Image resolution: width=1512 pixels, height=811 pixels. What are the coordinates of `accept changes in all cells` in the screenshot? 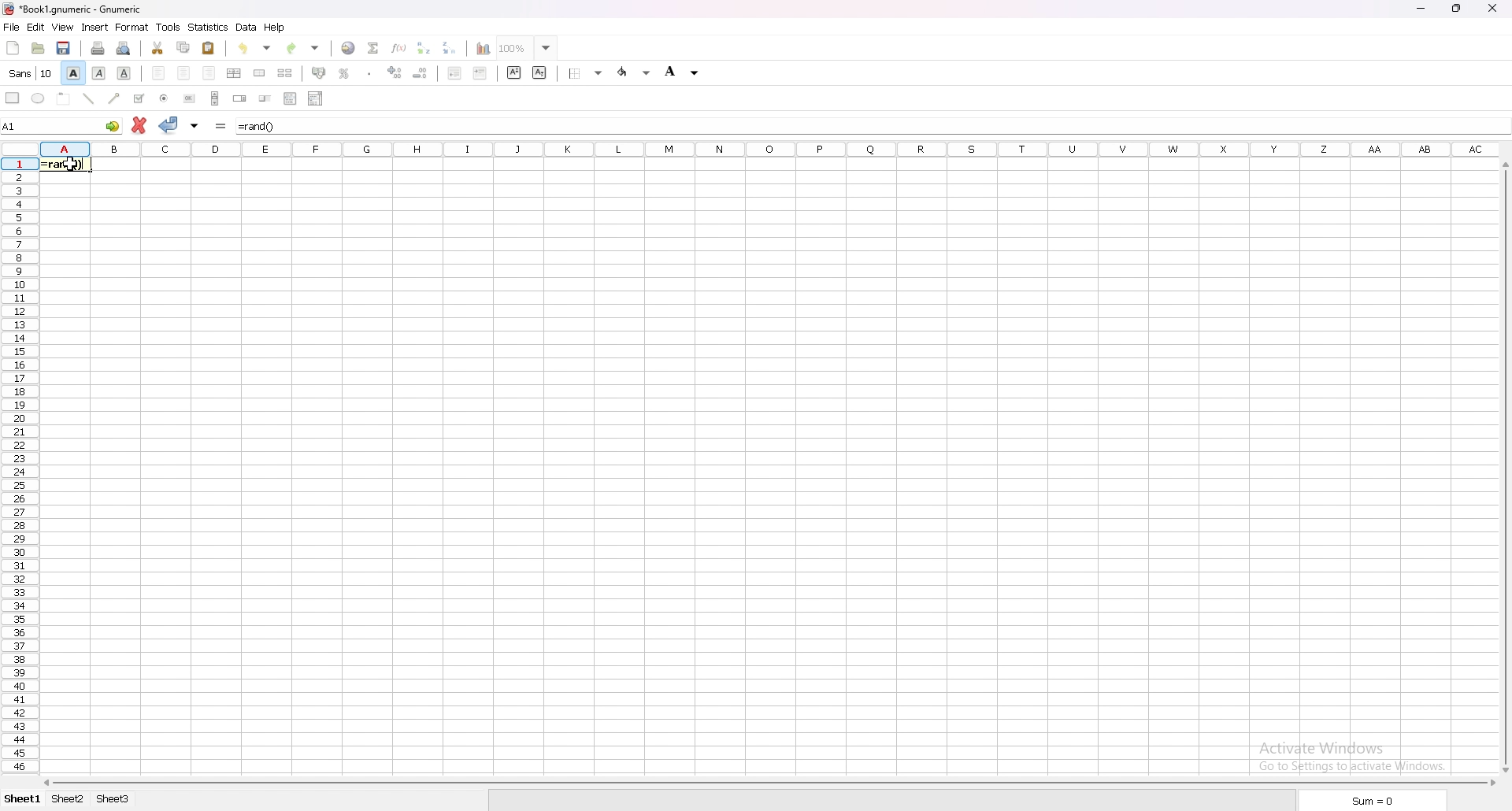 It's located at (195, 125).